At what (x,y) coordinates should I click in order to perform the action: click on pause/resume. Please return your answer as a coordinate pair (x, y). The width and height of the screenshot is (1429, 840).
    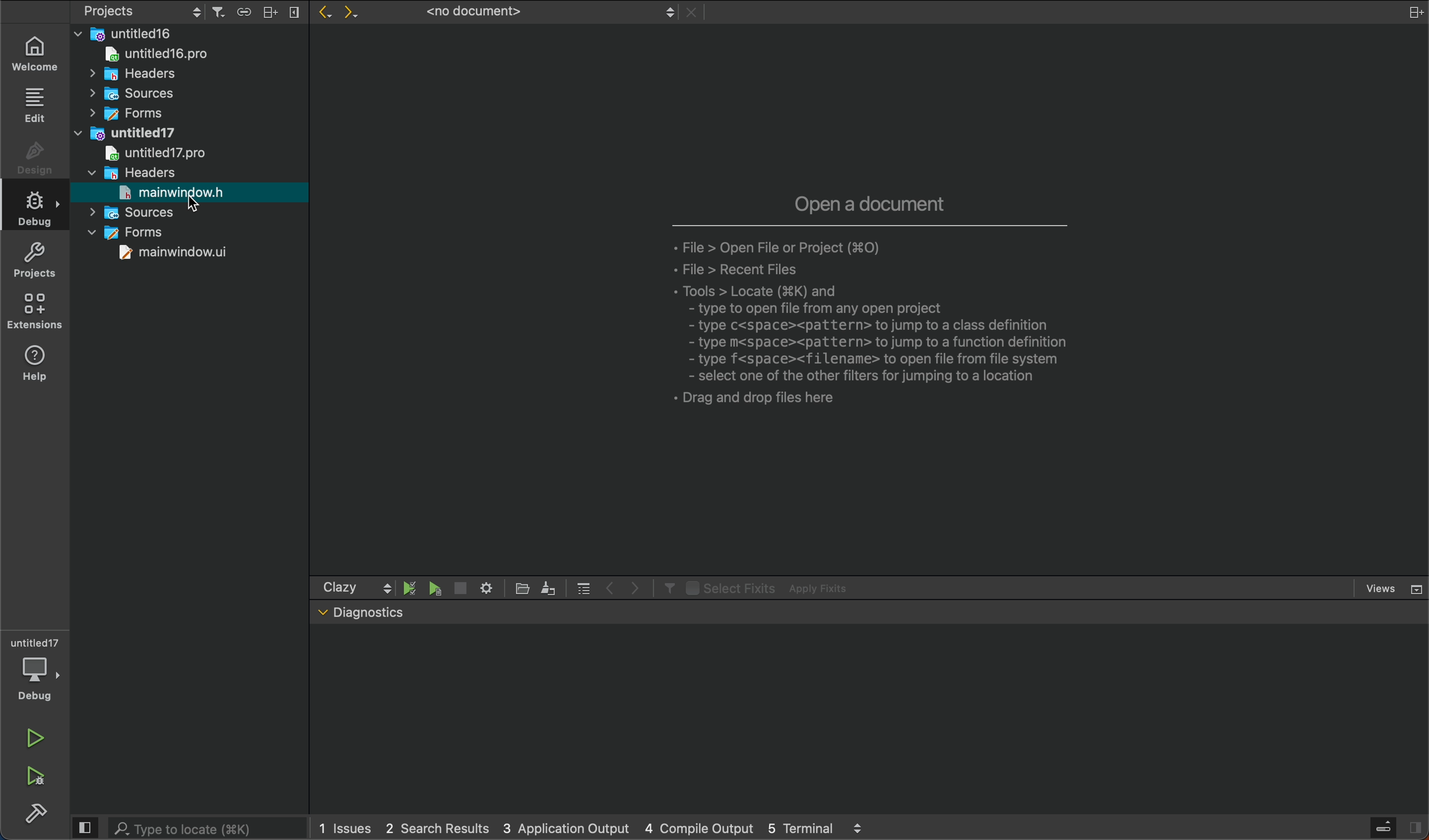
    Looking at the image, I should click on (411, 587).